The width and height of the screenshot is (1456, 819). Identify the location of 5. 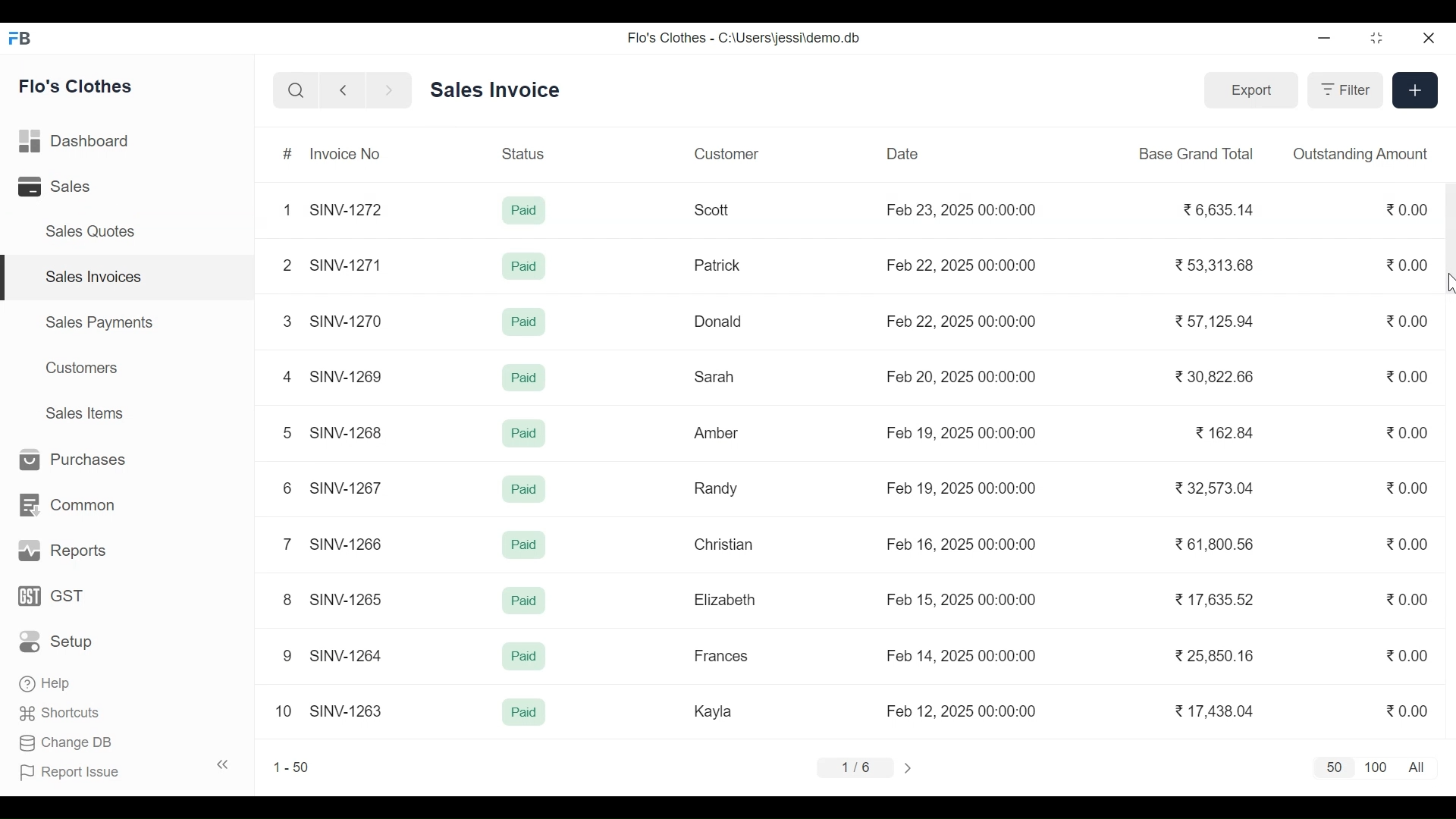
(285, 431).